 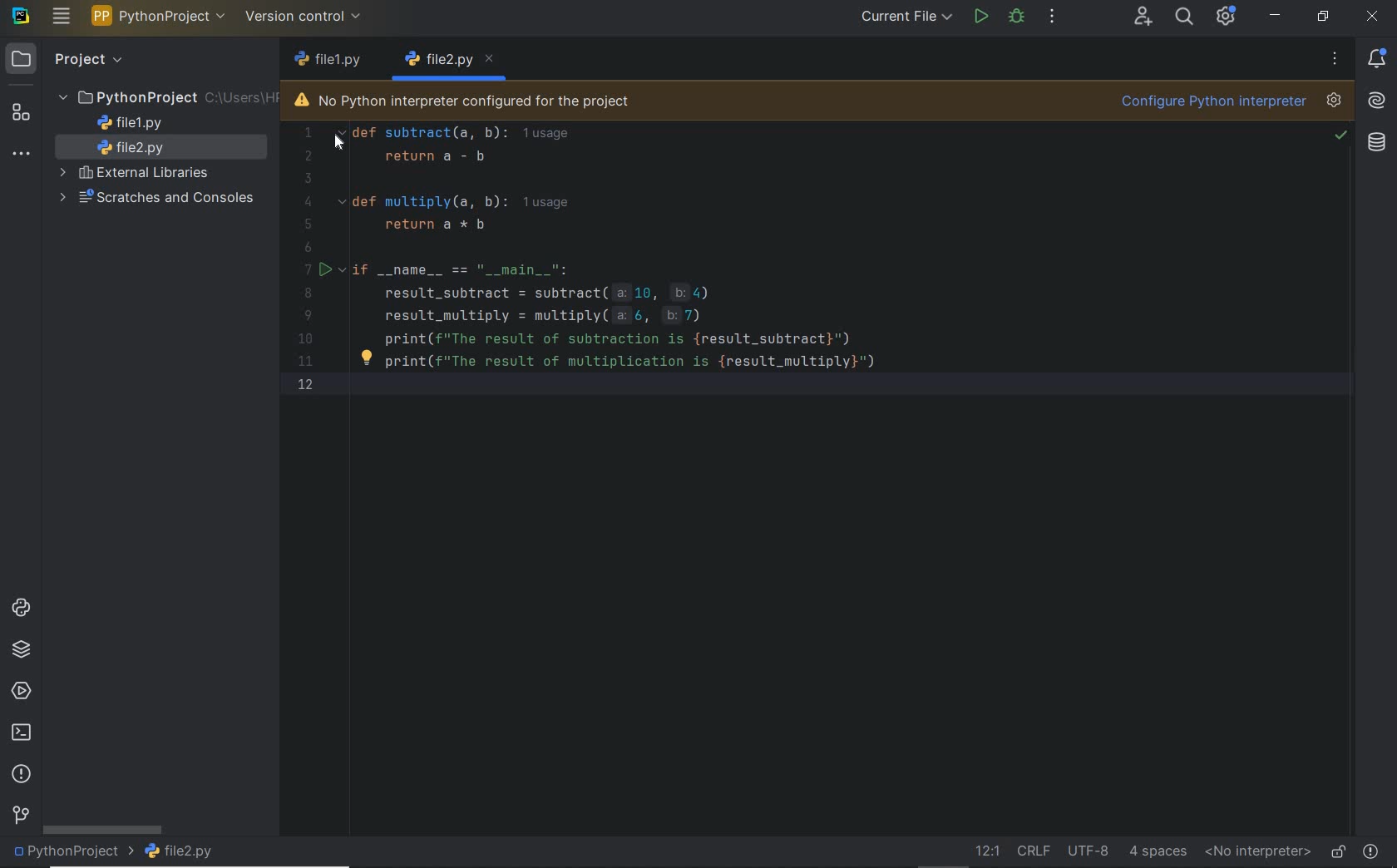 What do you see at coordinates (1380, 58) in the screenshot?
I see `notifications` at bounding box center [1380, 58].